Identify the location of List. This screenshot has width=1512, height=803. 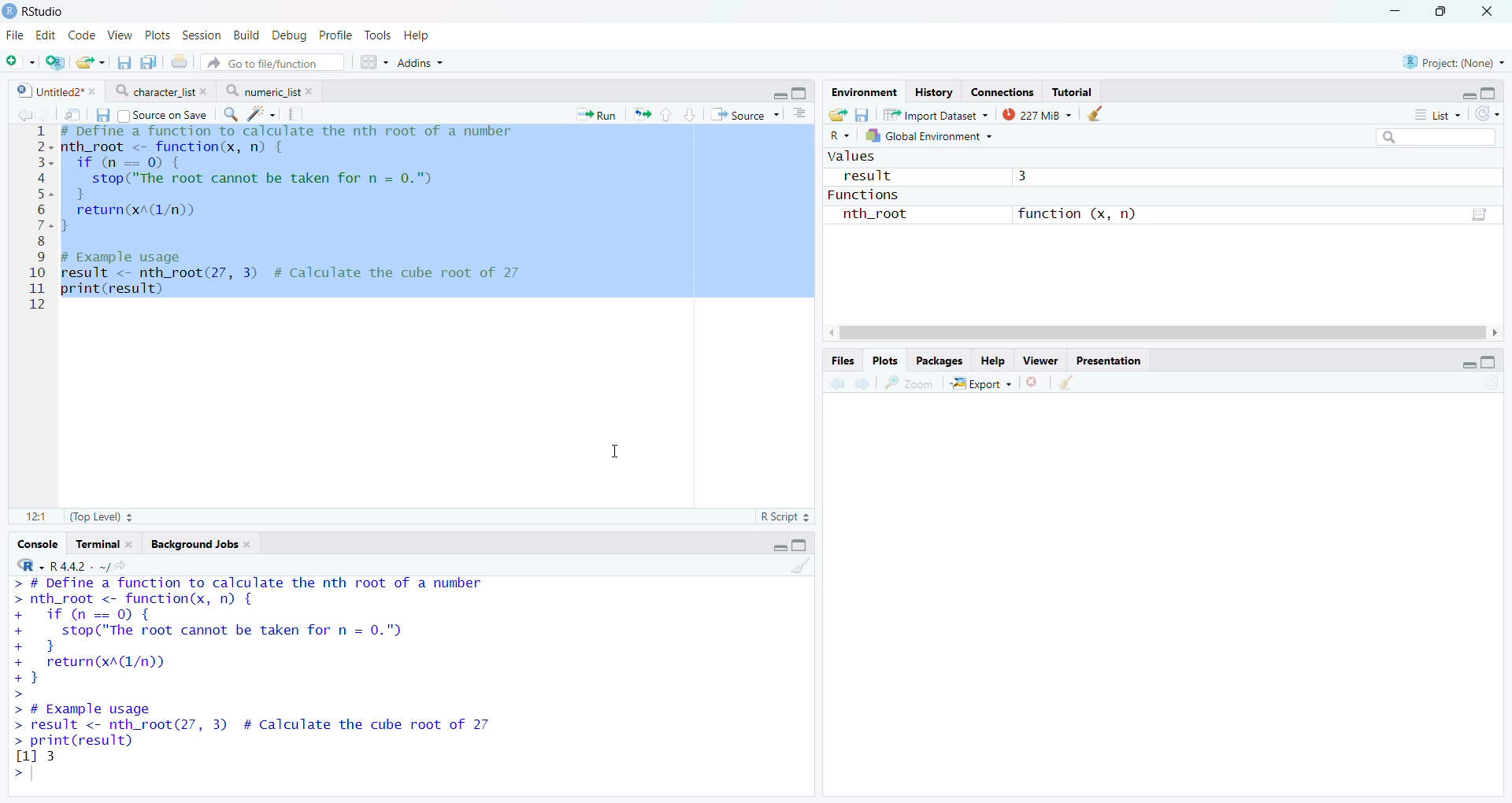
(1437, 113).